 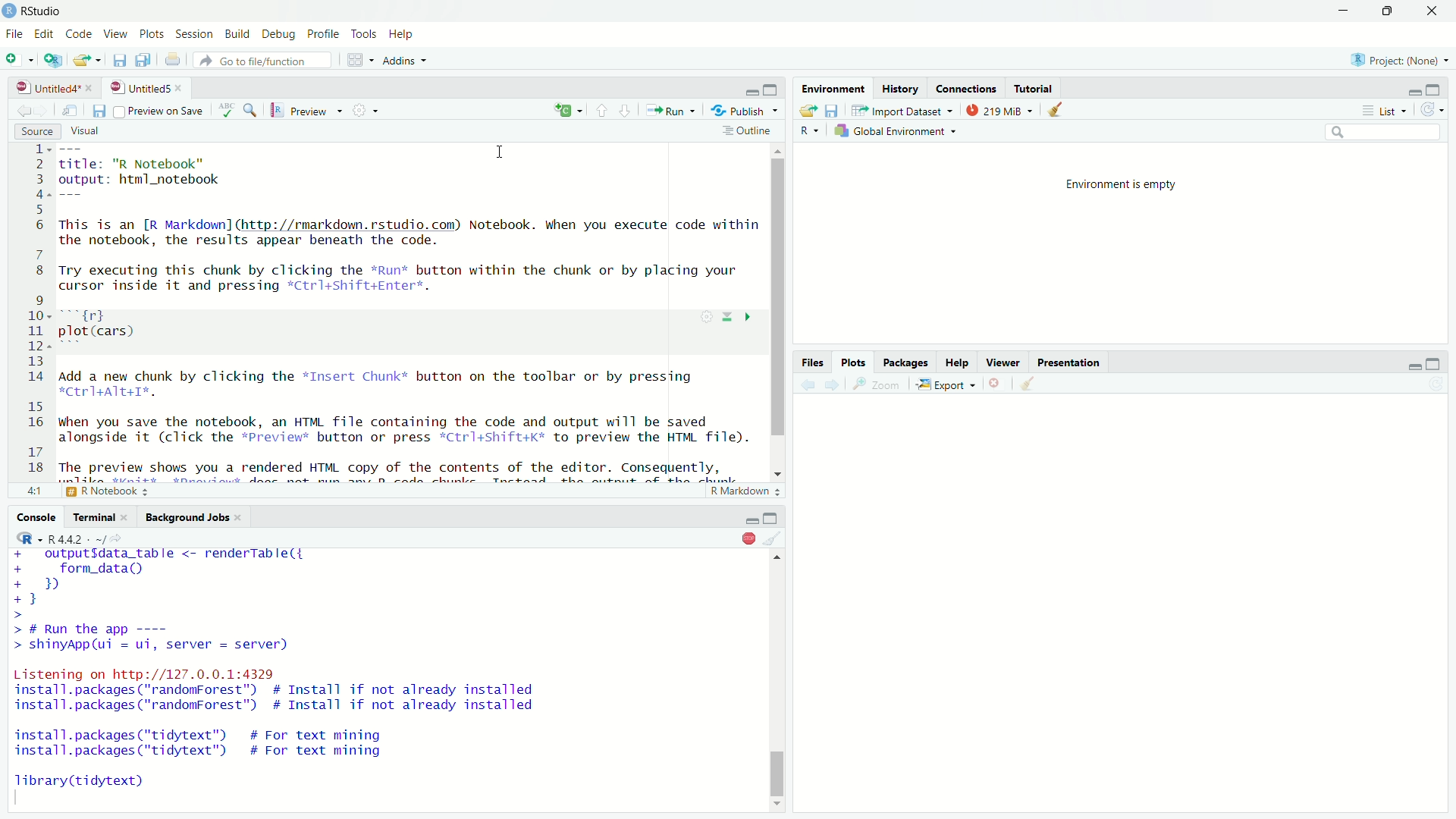 I want to click on import database, so click(x=903, y=111).